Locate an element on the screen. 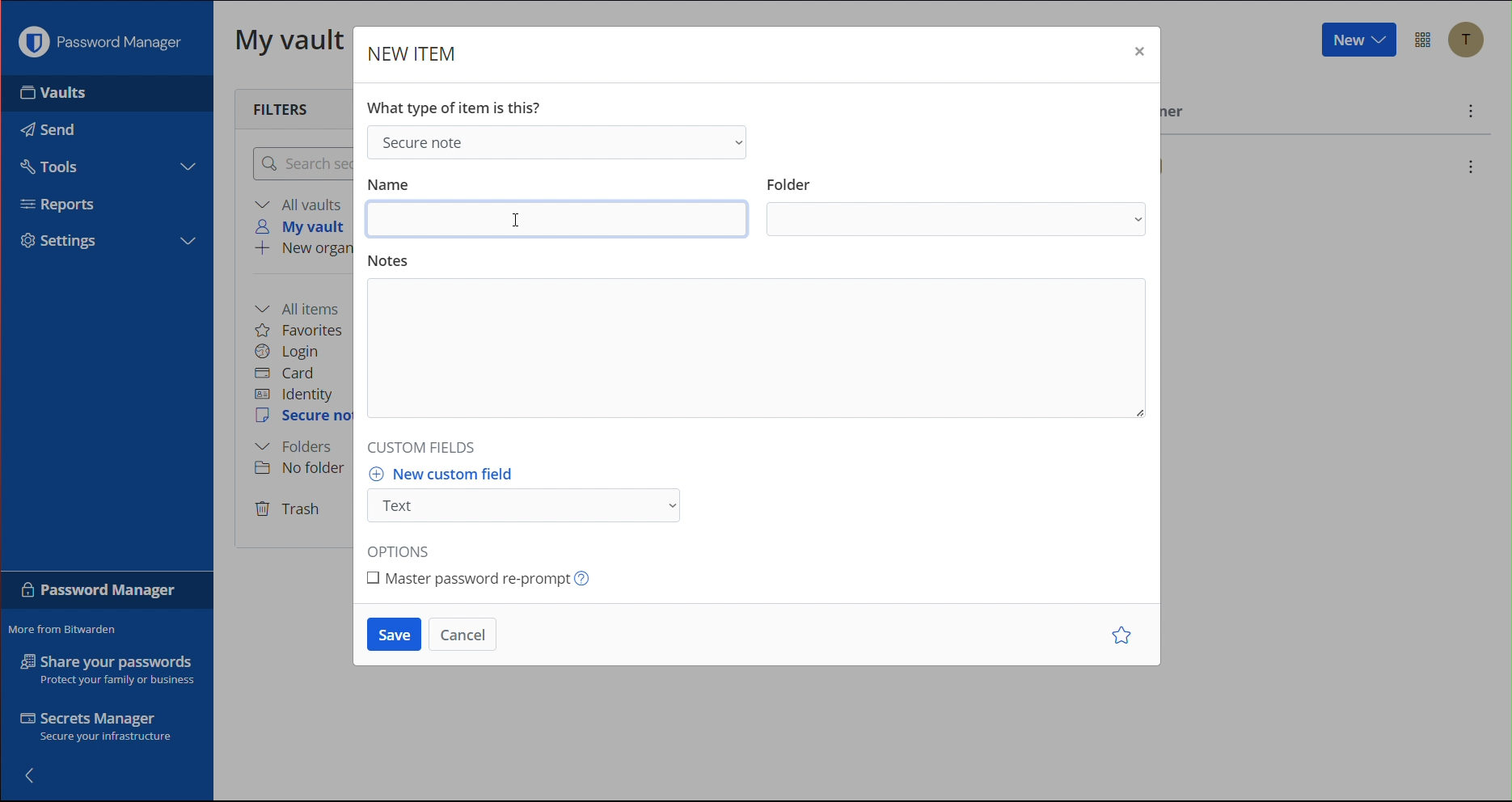  Filters is located at coordinates (285, 108).